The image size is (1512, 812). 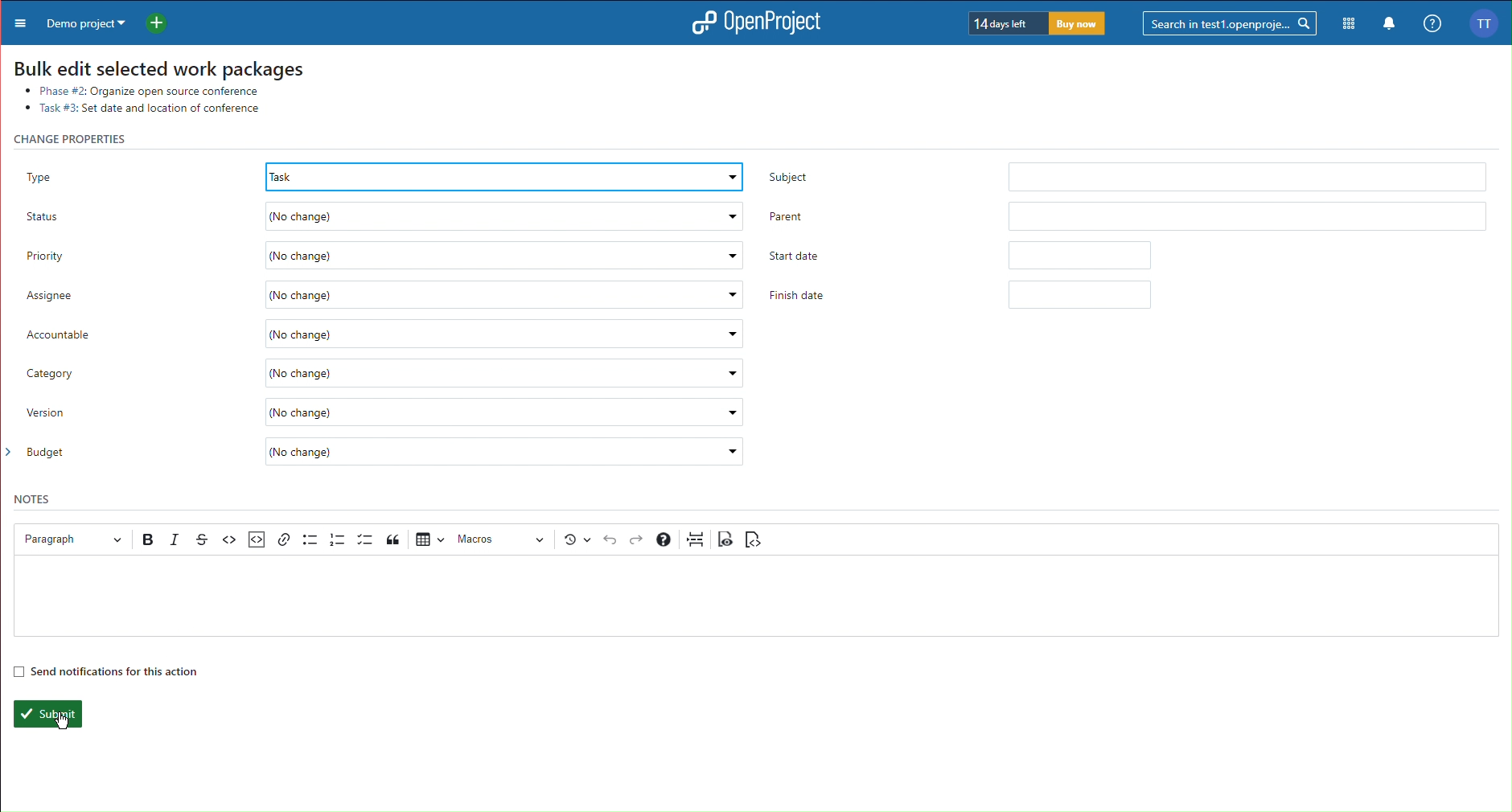 What do you see at coordinates (664, 539) in the screenshot?
I see `Help` at bounding box center [664, 539].